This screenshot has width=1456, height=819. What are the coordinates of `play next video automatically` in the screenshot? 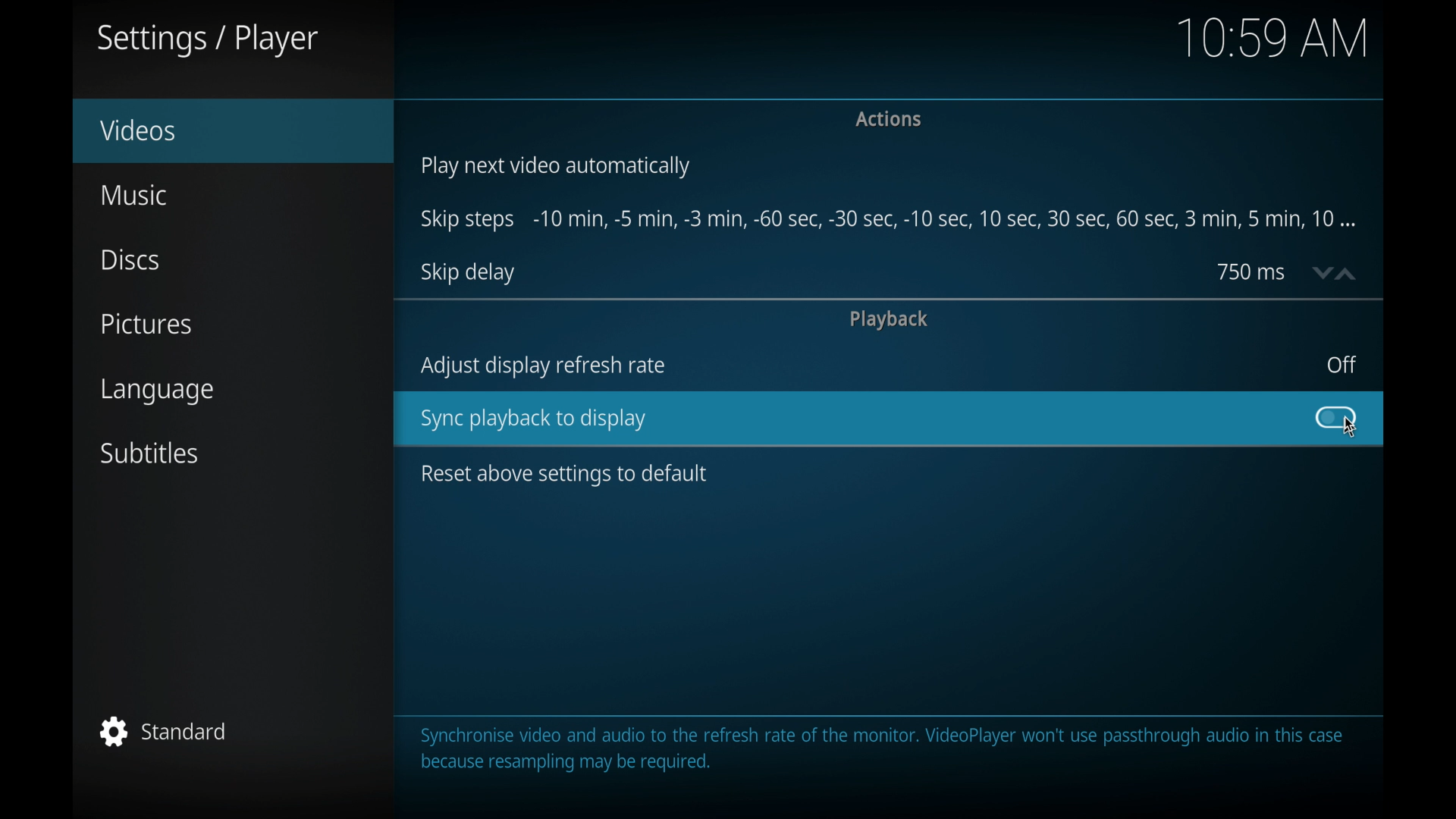 It's located at (557, 167).